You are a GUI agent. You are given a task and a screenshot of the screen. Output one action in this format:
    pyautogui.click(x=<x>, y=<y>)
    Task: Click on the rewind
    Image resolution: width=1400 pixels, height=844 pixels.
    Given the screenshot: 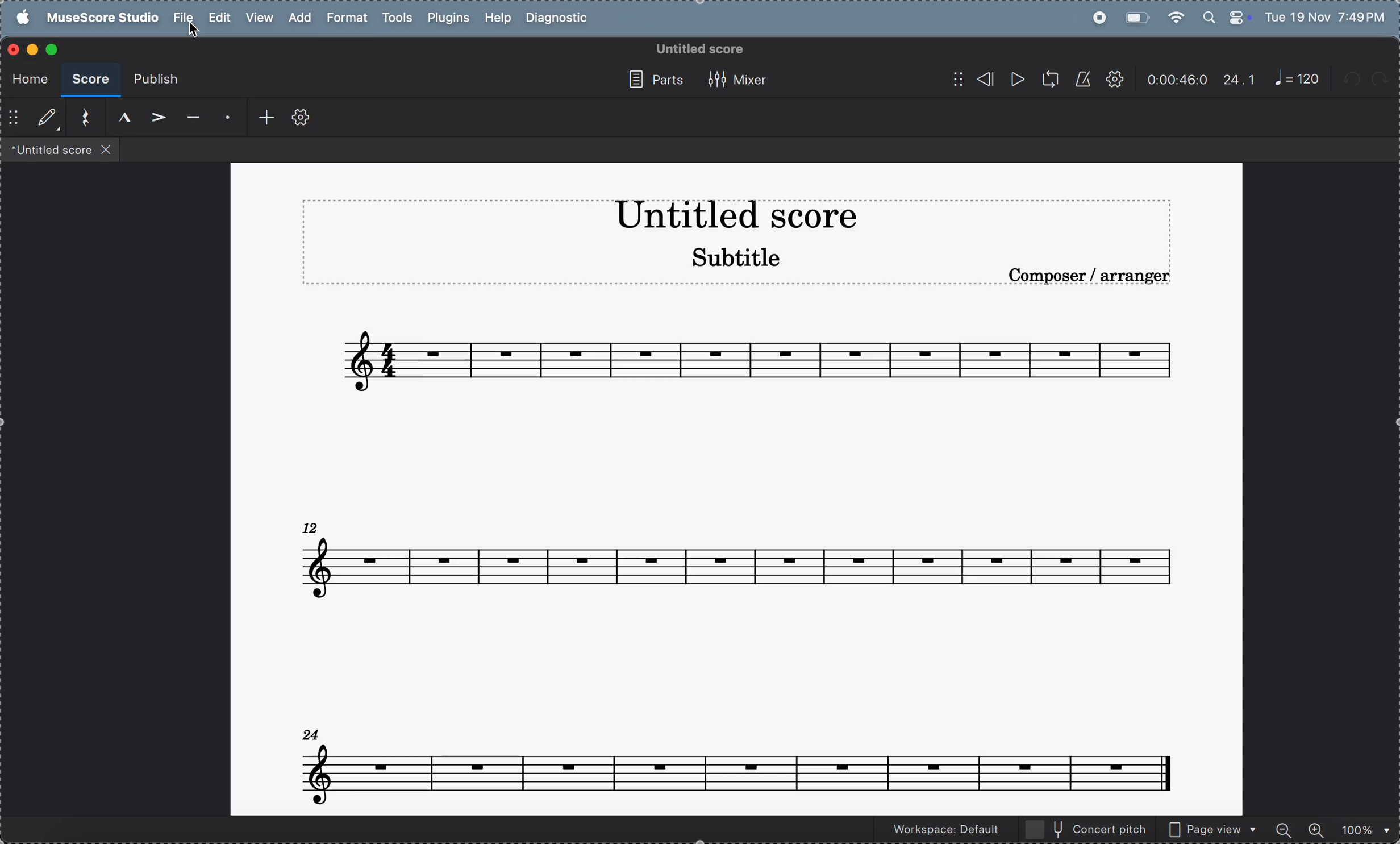 What is the action you would take?
    pyautogui.click(x=972, y=79)
    